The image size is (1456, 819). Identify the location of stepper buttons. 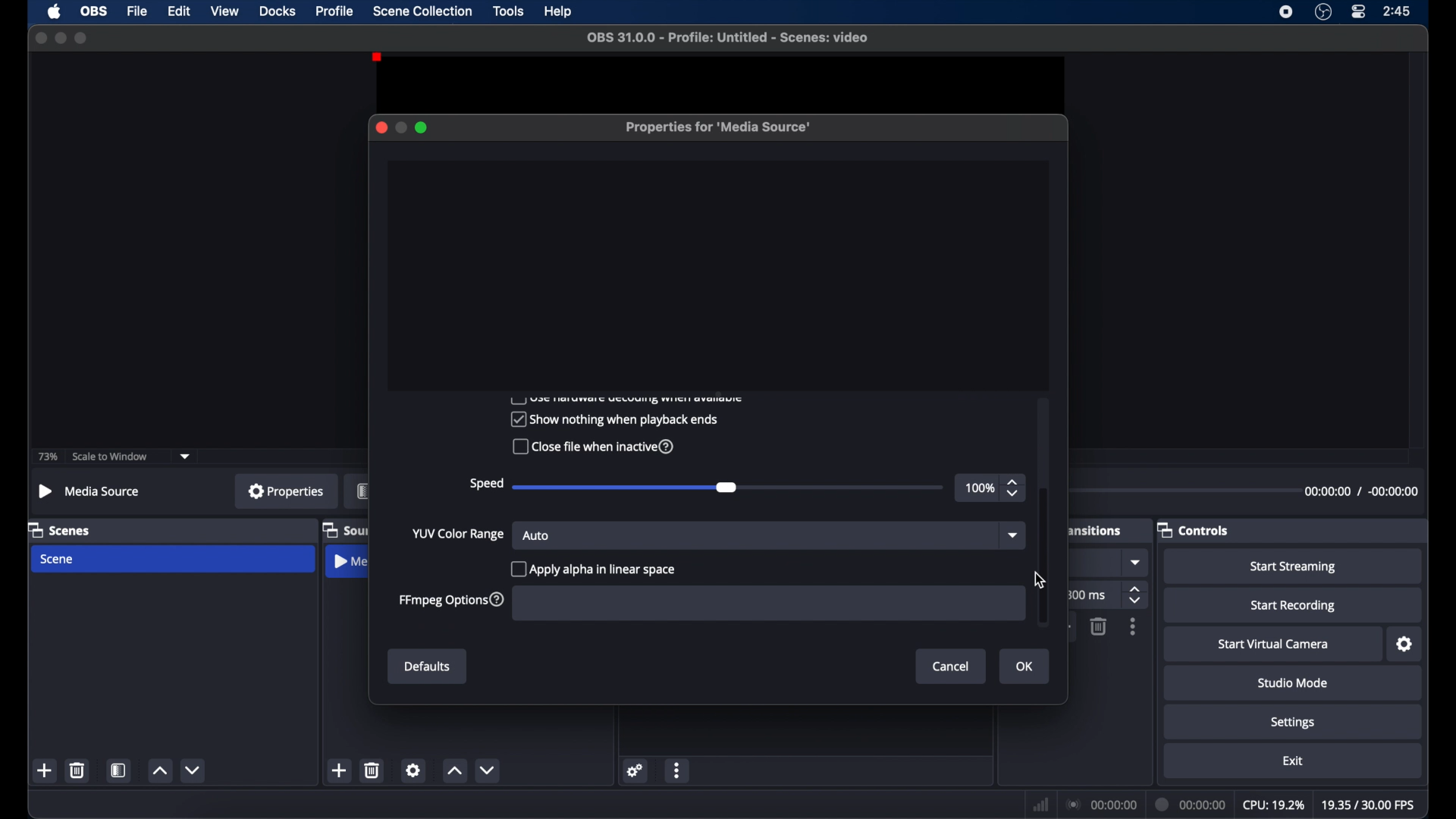
(1137, 596).